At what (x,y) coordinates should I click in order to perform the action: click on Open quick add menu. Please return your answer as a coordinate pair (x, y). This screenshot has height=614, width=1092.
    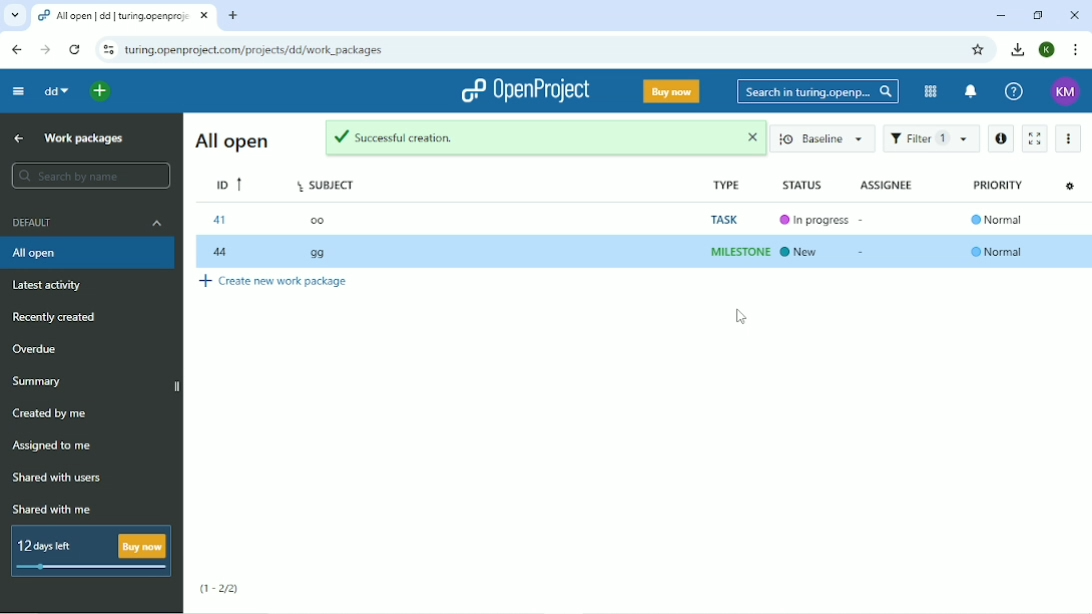
    Looking at the image, I should click on (100, 92).